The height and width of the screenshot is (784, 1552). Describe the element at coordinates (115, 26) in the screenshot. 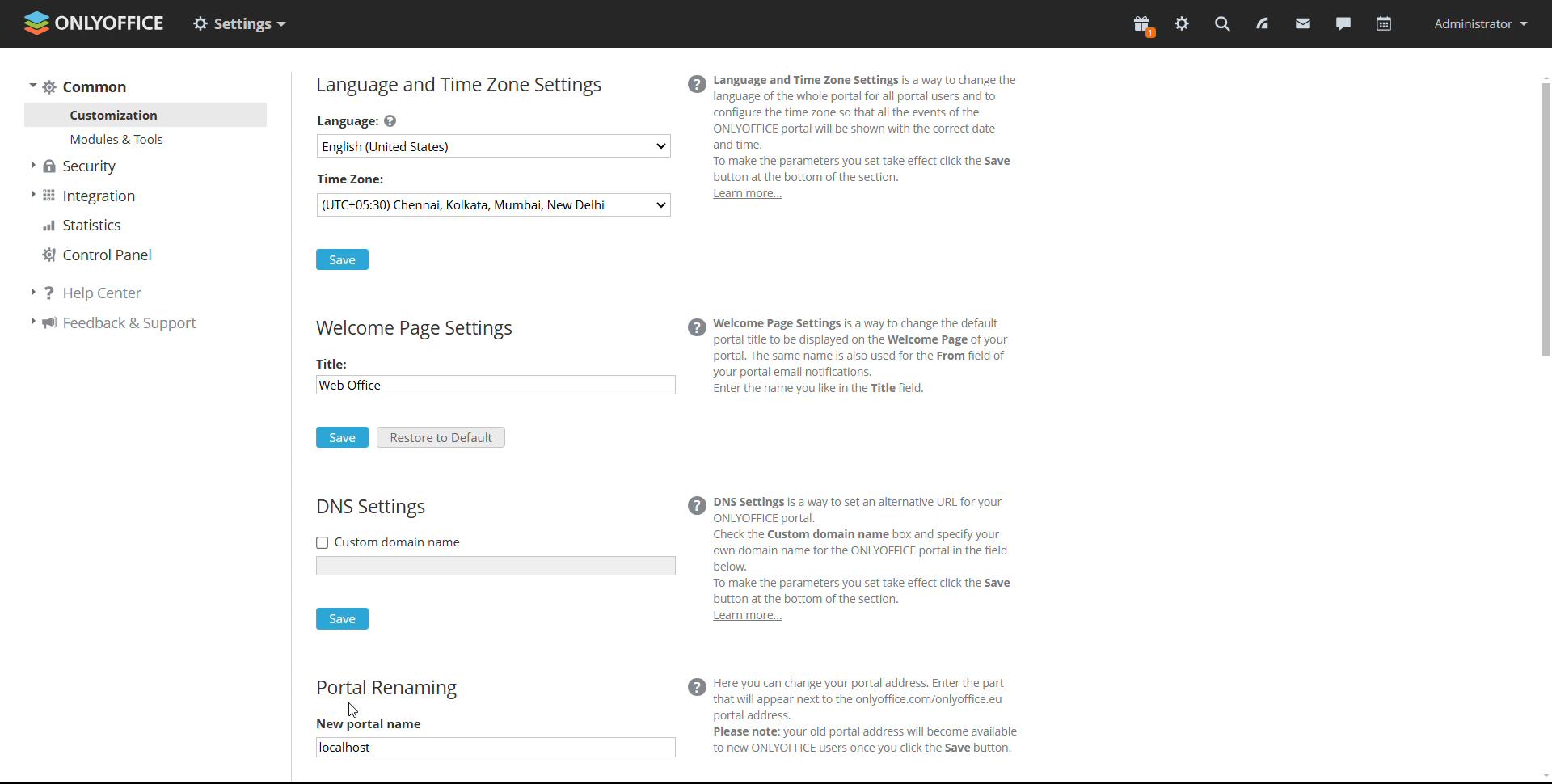

I see `onlyoffice` at that location.